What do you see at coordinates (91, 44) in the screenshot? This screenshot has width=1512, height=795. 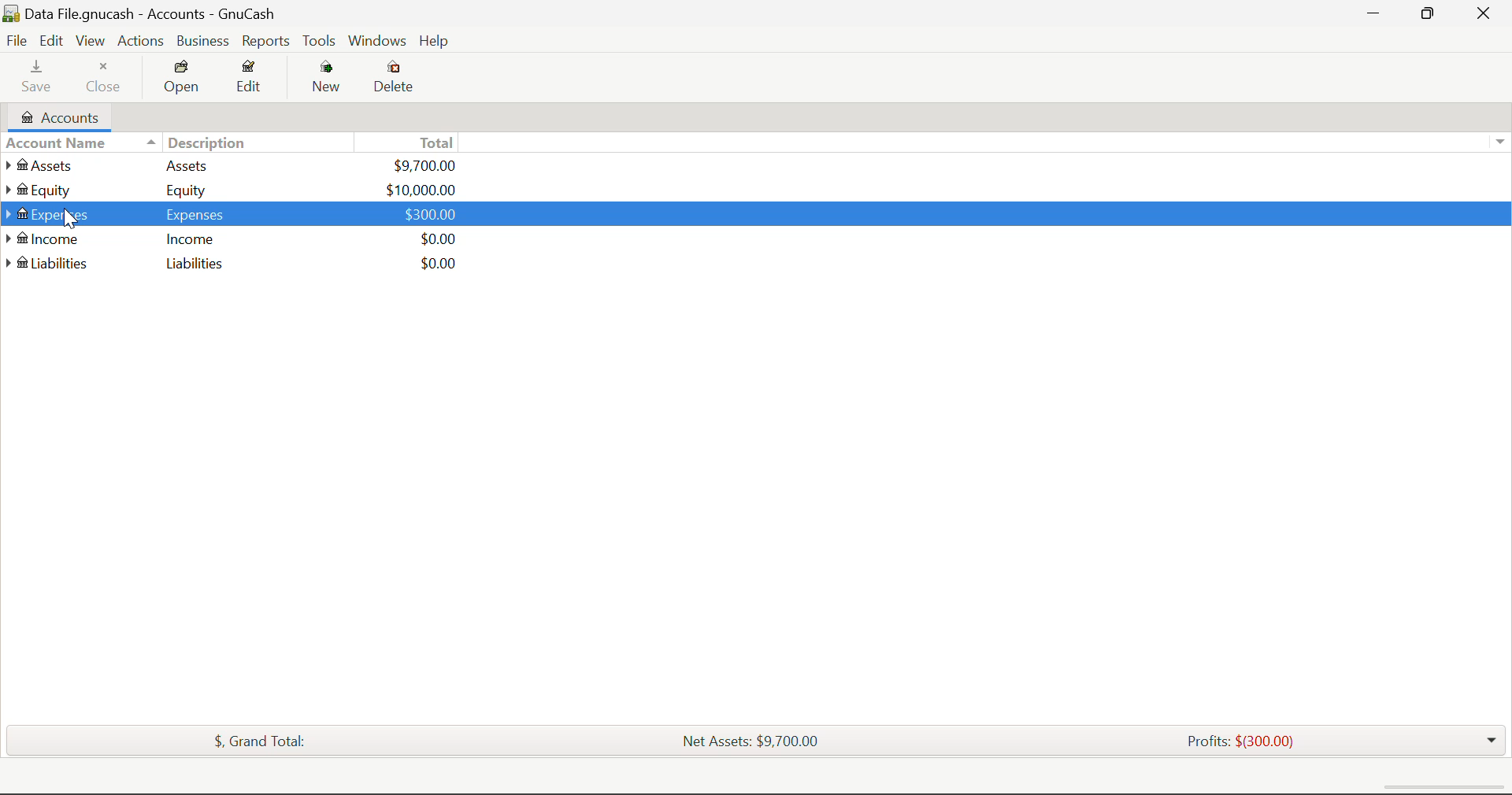 I see `View` at bounding box center [91, 44].